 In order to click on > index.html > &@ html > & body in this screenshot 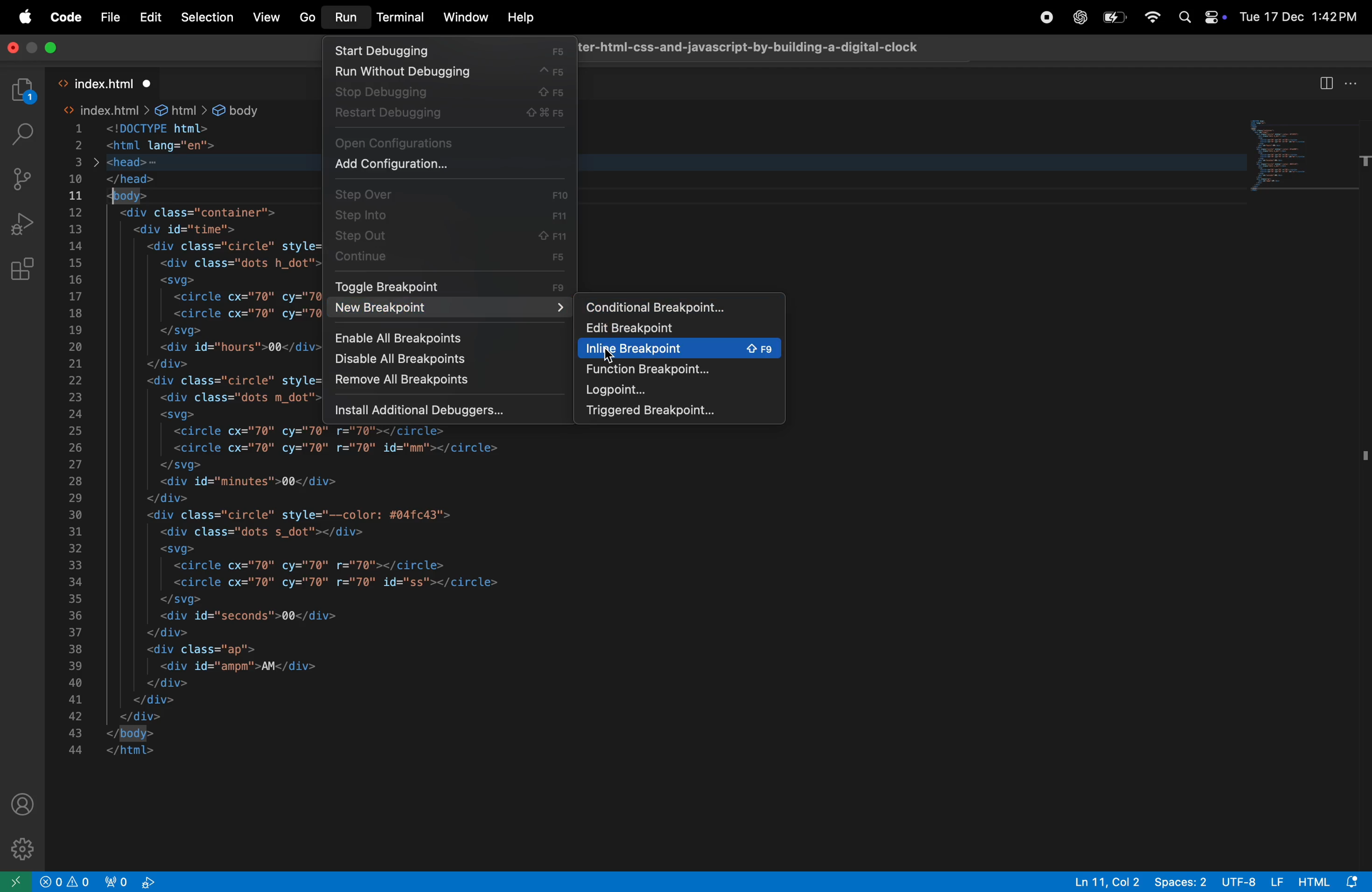, I will do `click(166, 111)`.